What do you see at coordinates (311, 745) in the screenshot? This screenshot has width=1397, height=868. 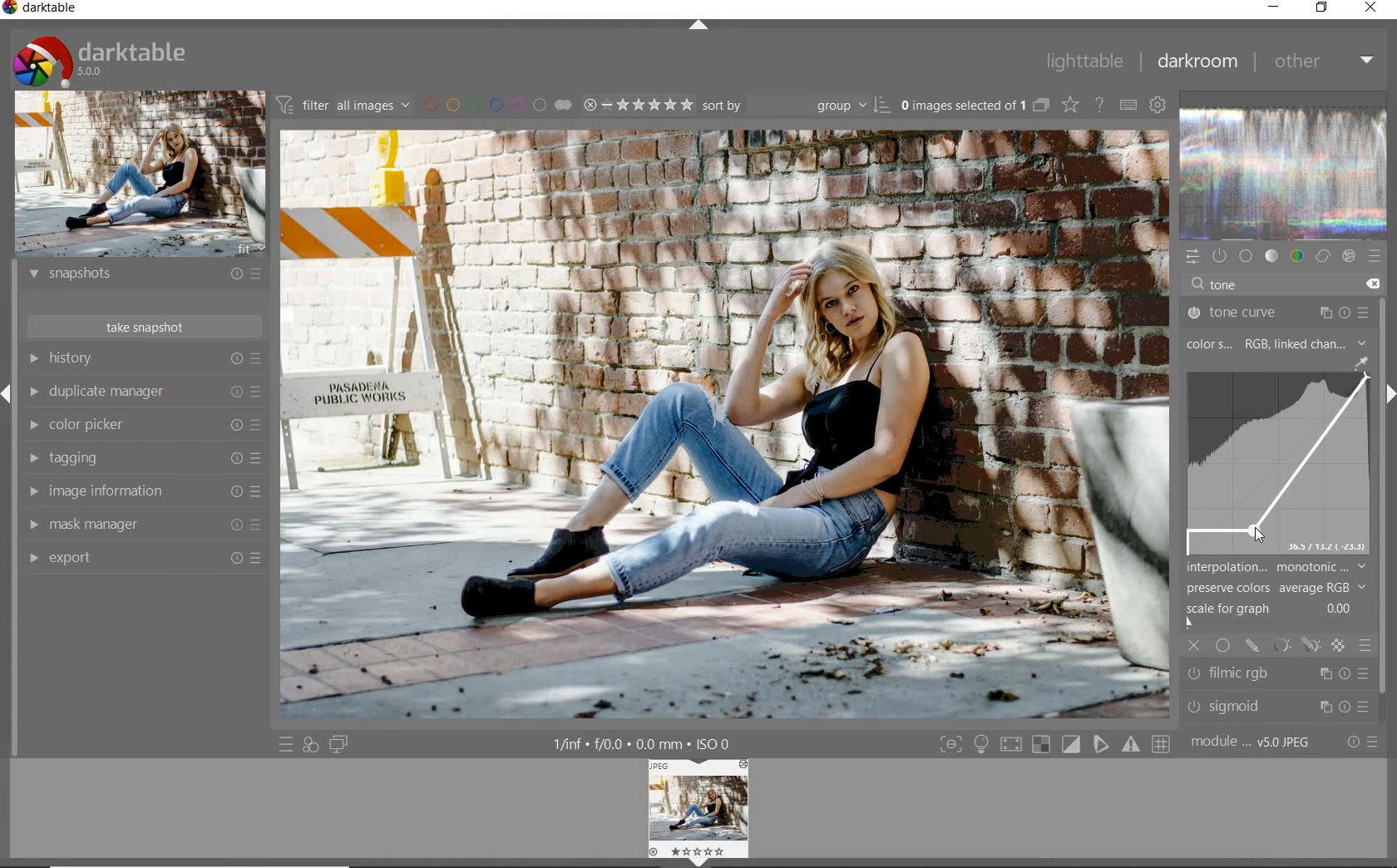 I see `quick access for applying any of your styles` at bounding box center [311, 745].